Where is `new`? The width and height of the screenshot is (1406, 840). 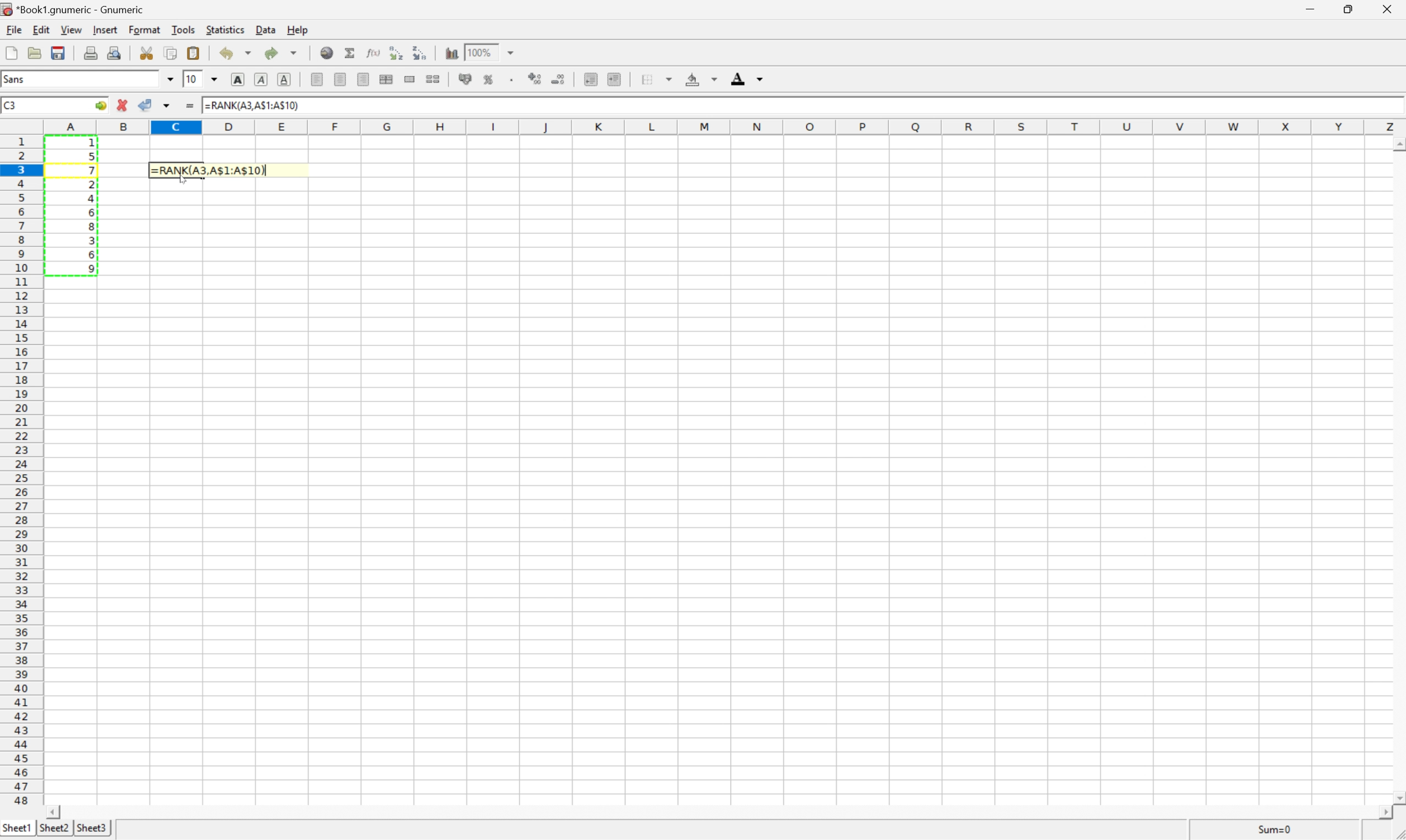
new is located at coordinates (12, 52).